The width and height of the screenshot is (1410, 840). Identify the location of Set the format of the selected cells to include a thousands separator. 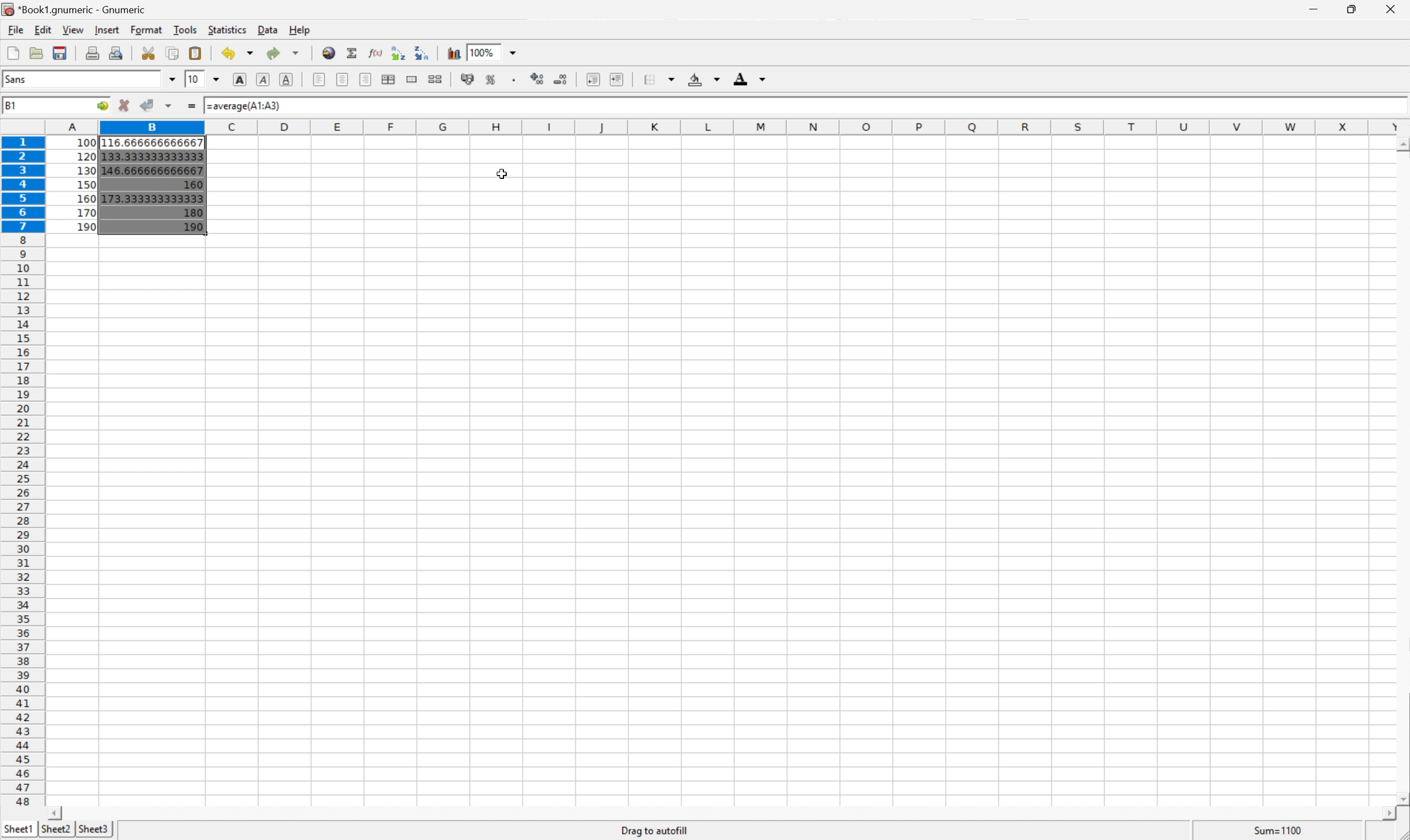
(516, 79).